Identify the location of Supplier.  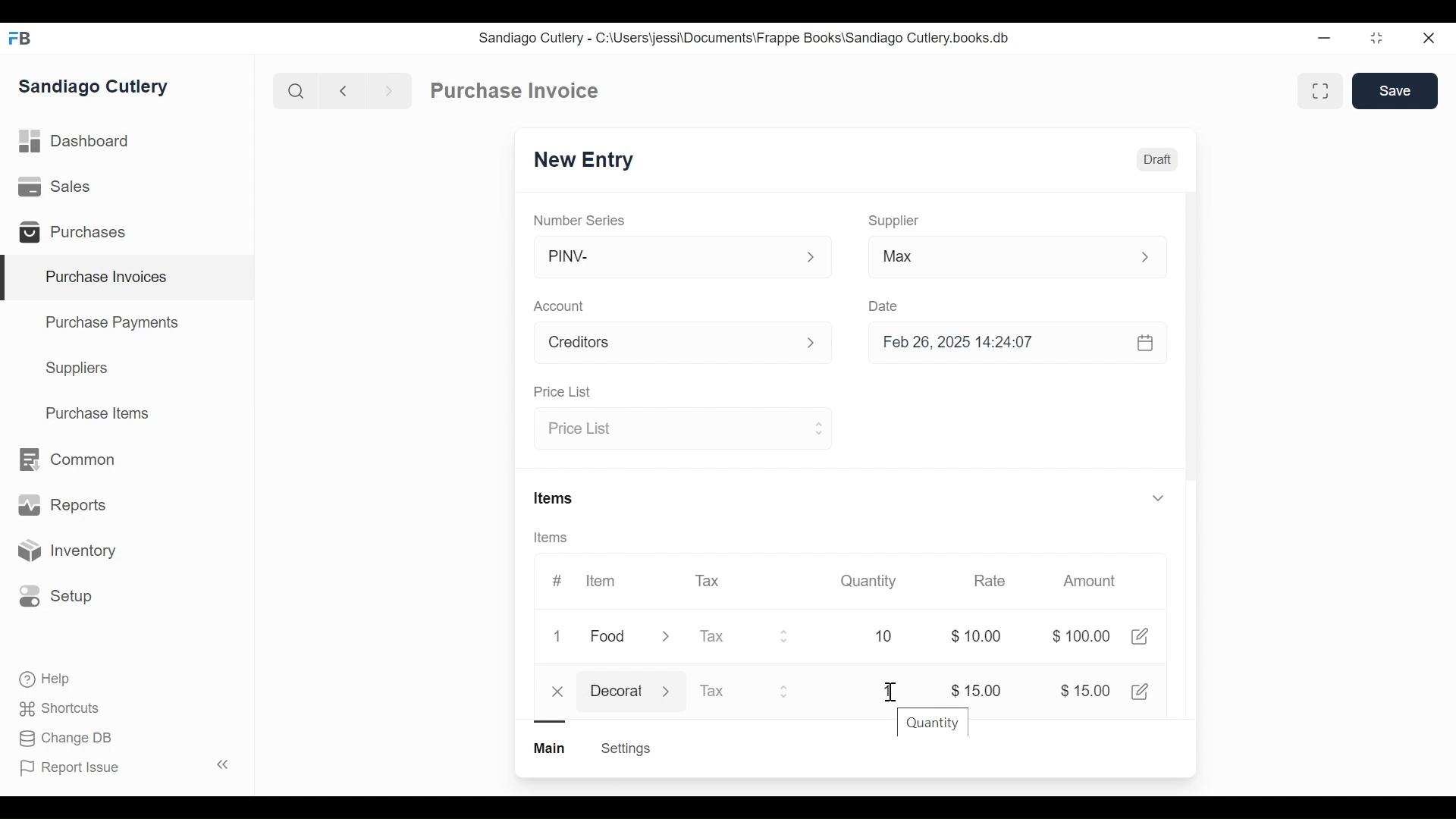
(894, 221).